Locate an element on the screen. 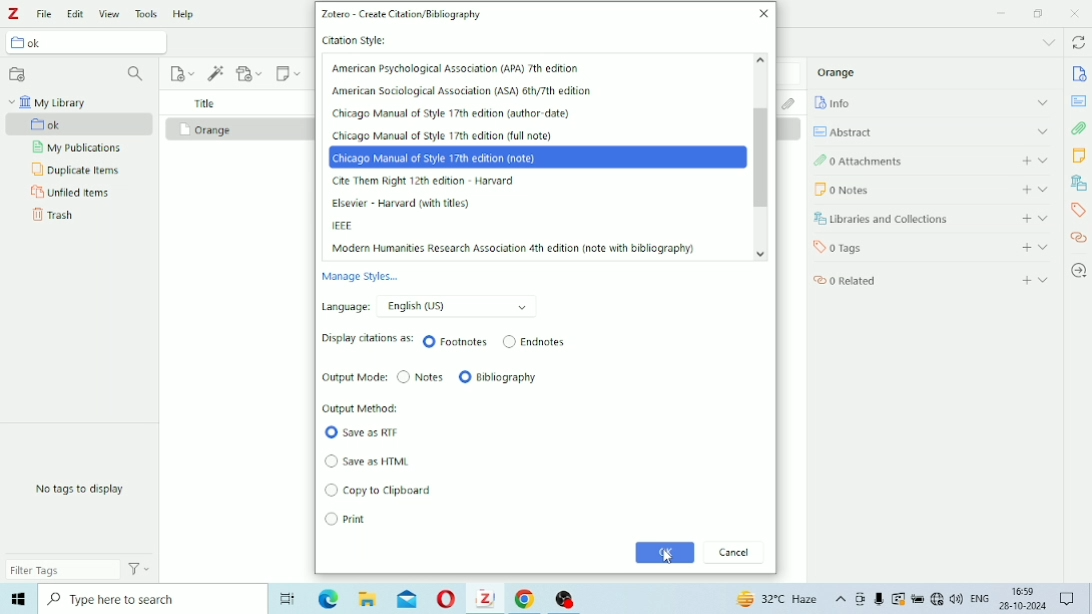 Image resolution: width=1092 pixels, height=614 pixels. Zotero is located at coordinates (485, 598).